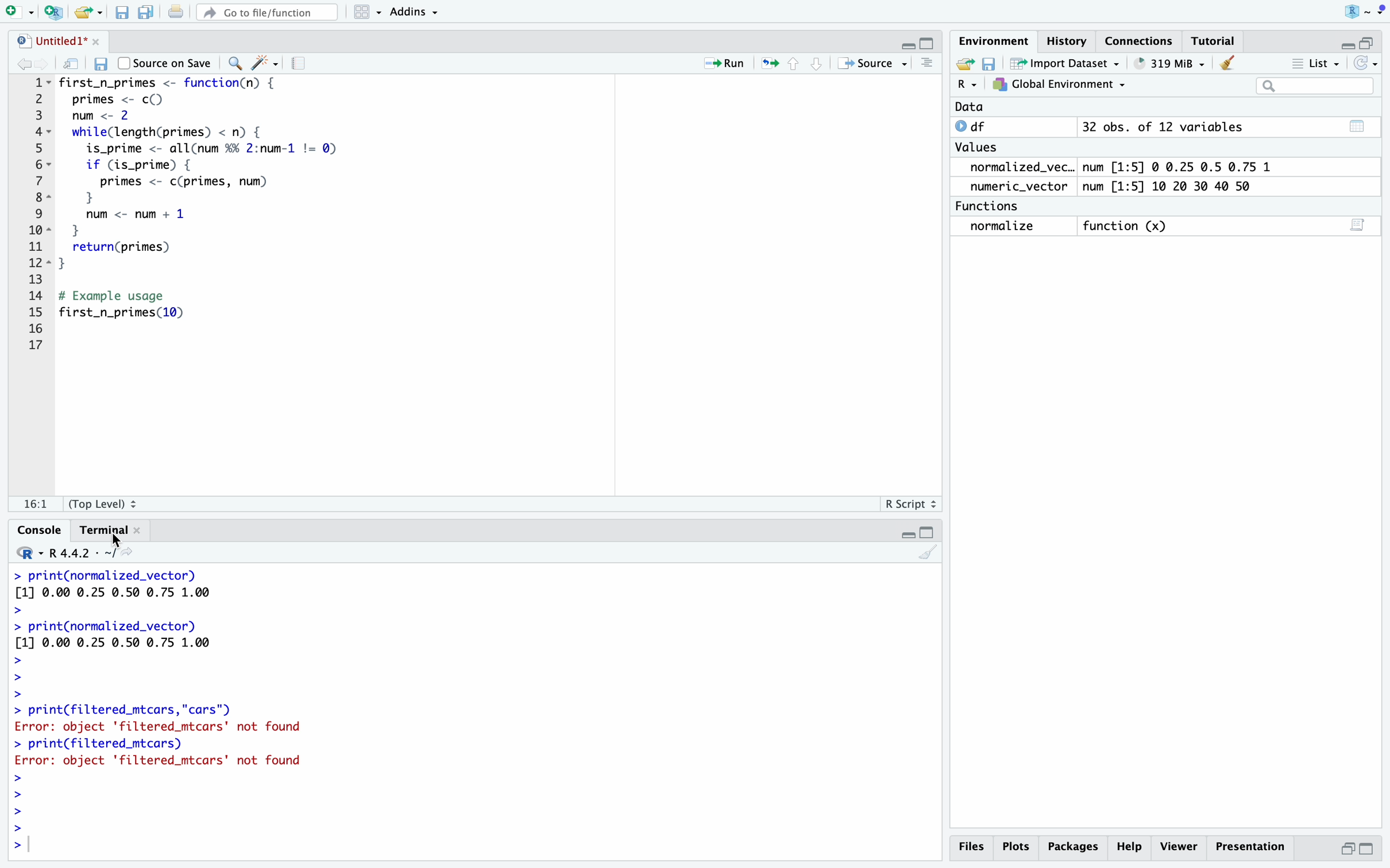  Describe the element at coordinates (1074, 847) in the screenshot. I see `Packages` at that location.